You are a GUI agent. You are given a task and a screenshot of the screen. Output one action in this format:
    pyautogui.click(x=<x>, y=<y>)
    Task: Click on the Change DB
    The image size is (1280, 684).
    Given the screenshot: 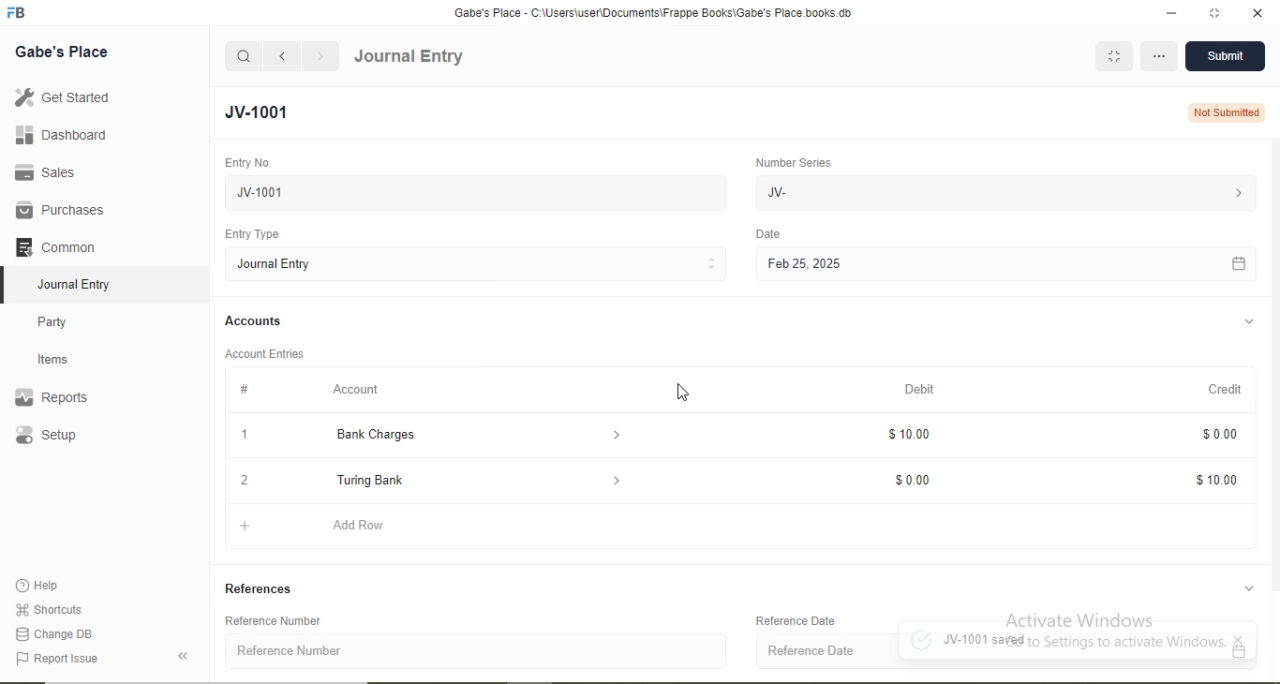 What is the action you would take?
    pyautogui.click(x=55, y=633)
    